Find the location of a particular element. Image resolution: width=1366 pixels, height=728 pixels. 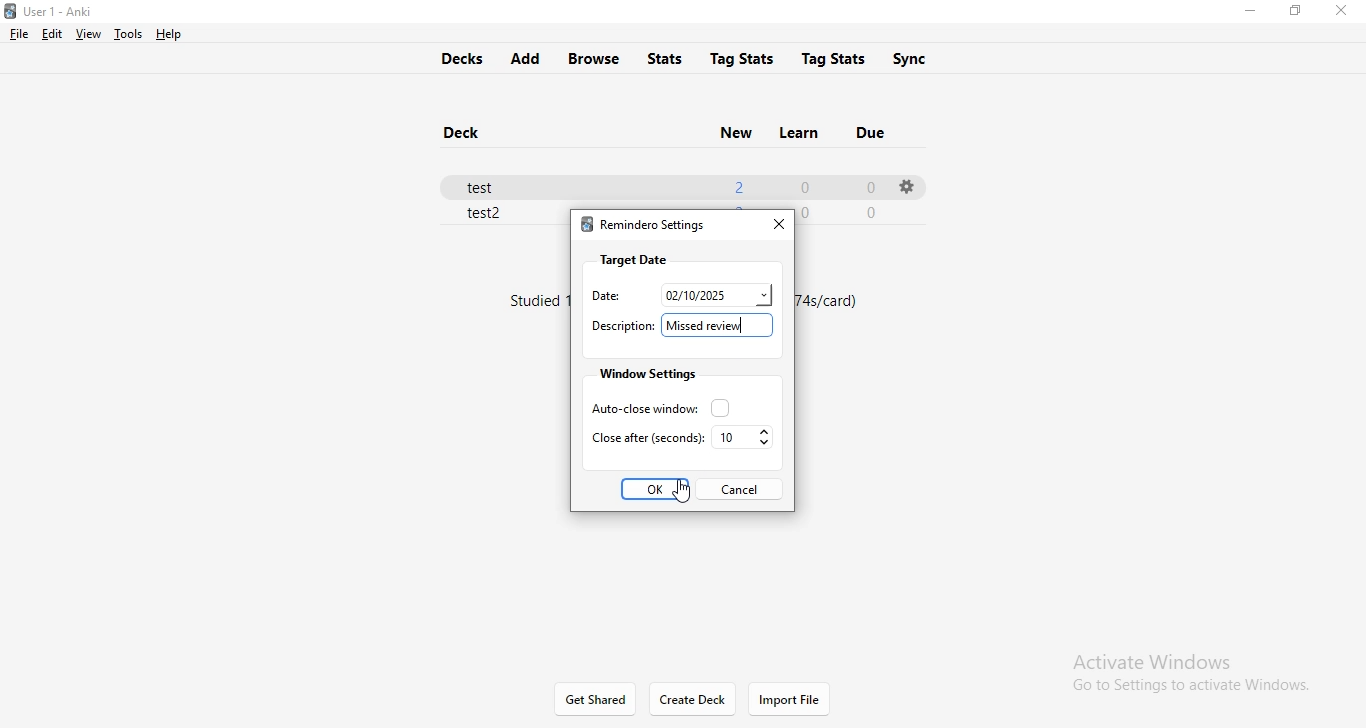

cursor is located at coordinates (670, 491).